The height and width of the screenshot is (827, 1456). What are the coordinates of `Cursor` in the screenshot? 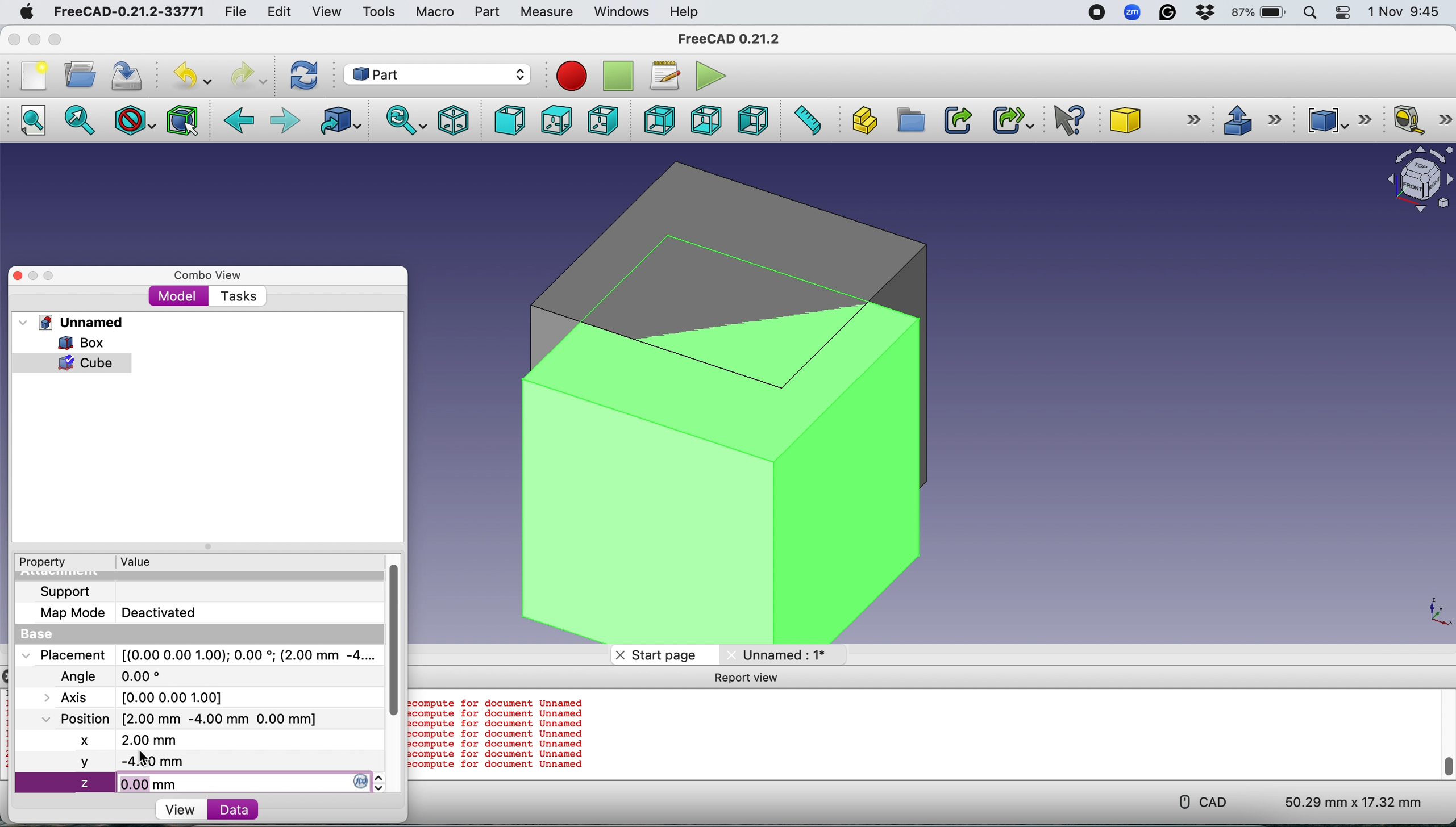 It's located at (143, 758).